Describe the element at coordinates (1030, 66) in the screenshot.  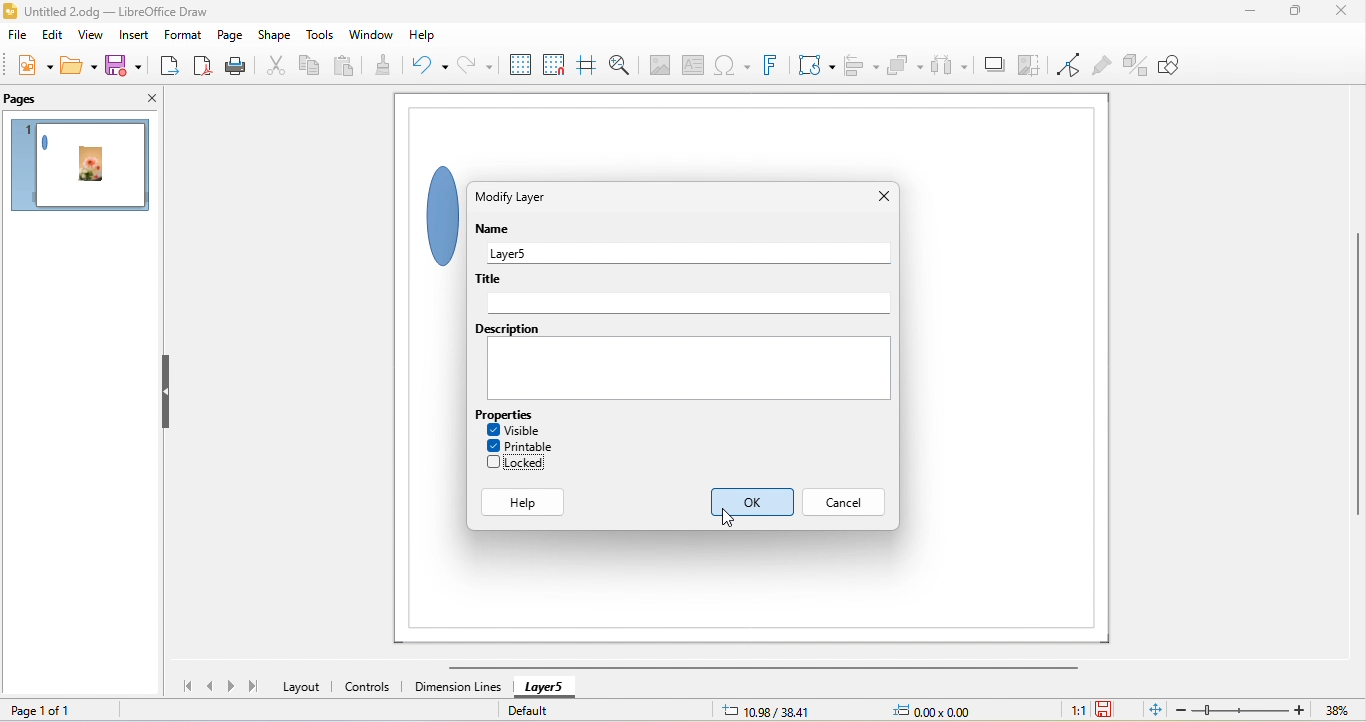
I see `crop image` at that location.